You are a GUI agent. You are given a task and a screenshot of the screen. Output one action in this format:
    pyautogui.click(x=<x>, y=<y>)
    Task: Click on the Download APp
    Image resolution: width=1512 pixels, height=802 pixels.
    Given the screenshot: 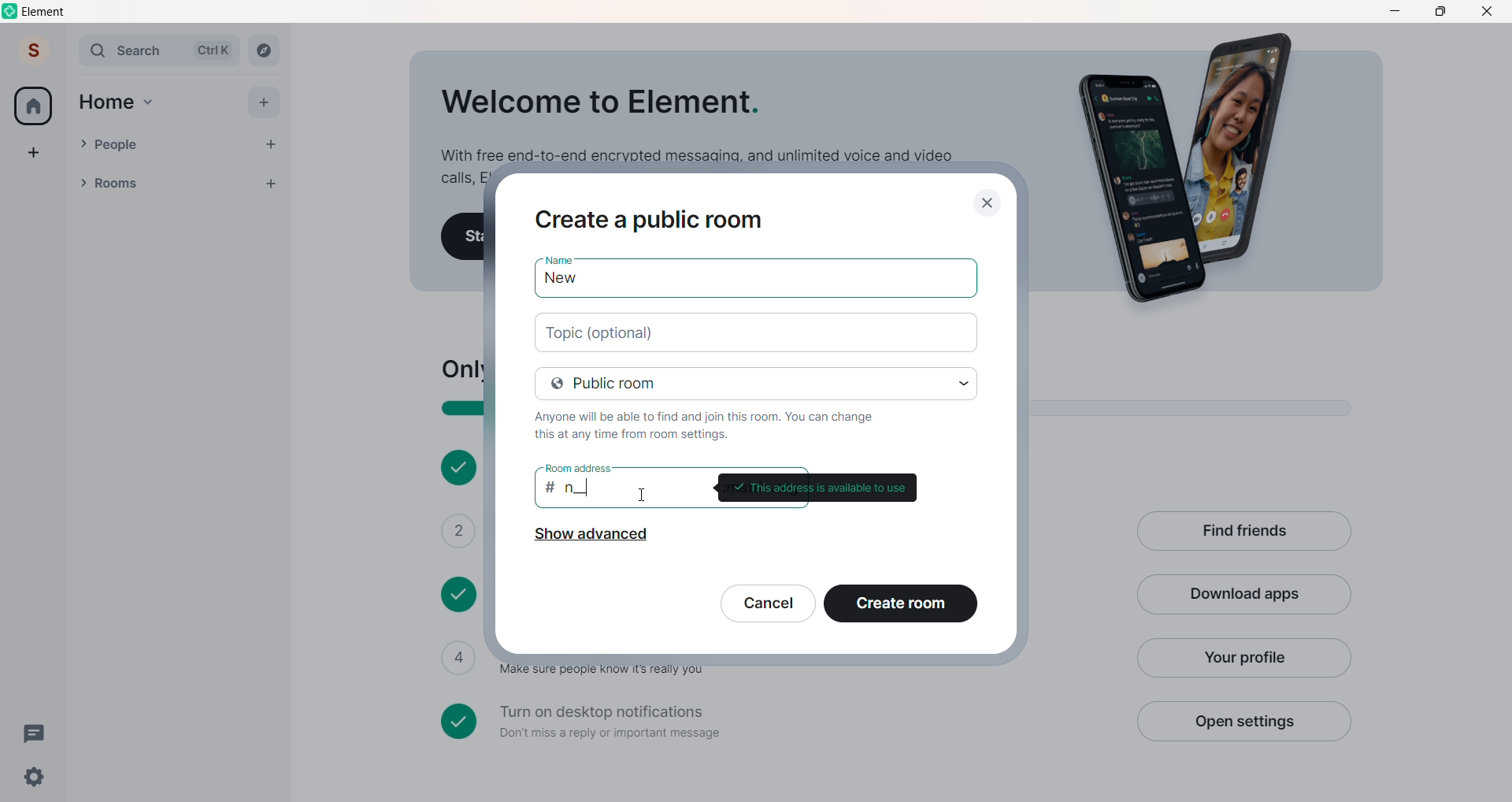 What is the action you would take?
    pyautogui.click(x=1244, y=596)
    